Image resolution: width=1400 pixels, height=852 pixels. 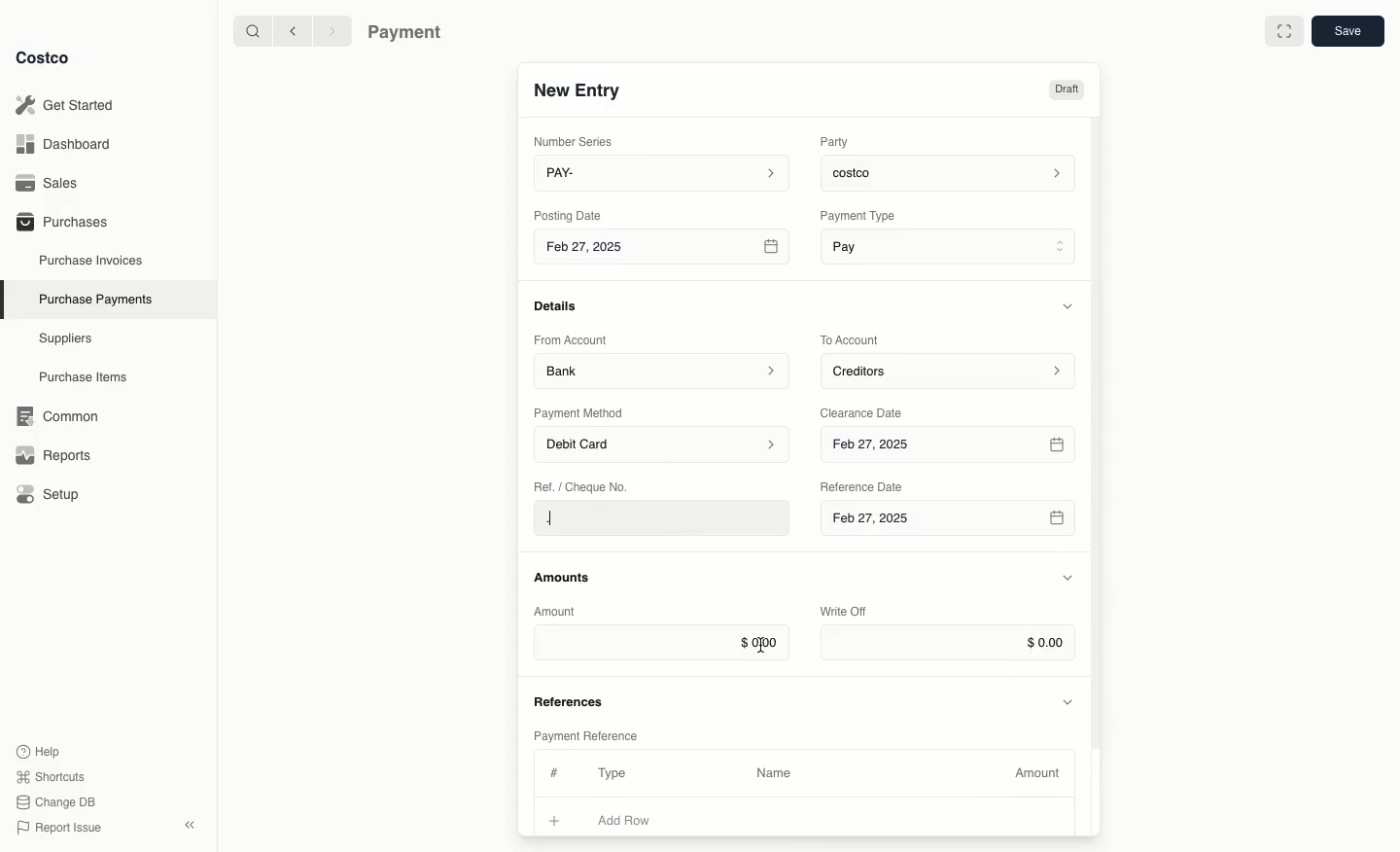 I want to click on Amount, so click(x=1040, y=773).